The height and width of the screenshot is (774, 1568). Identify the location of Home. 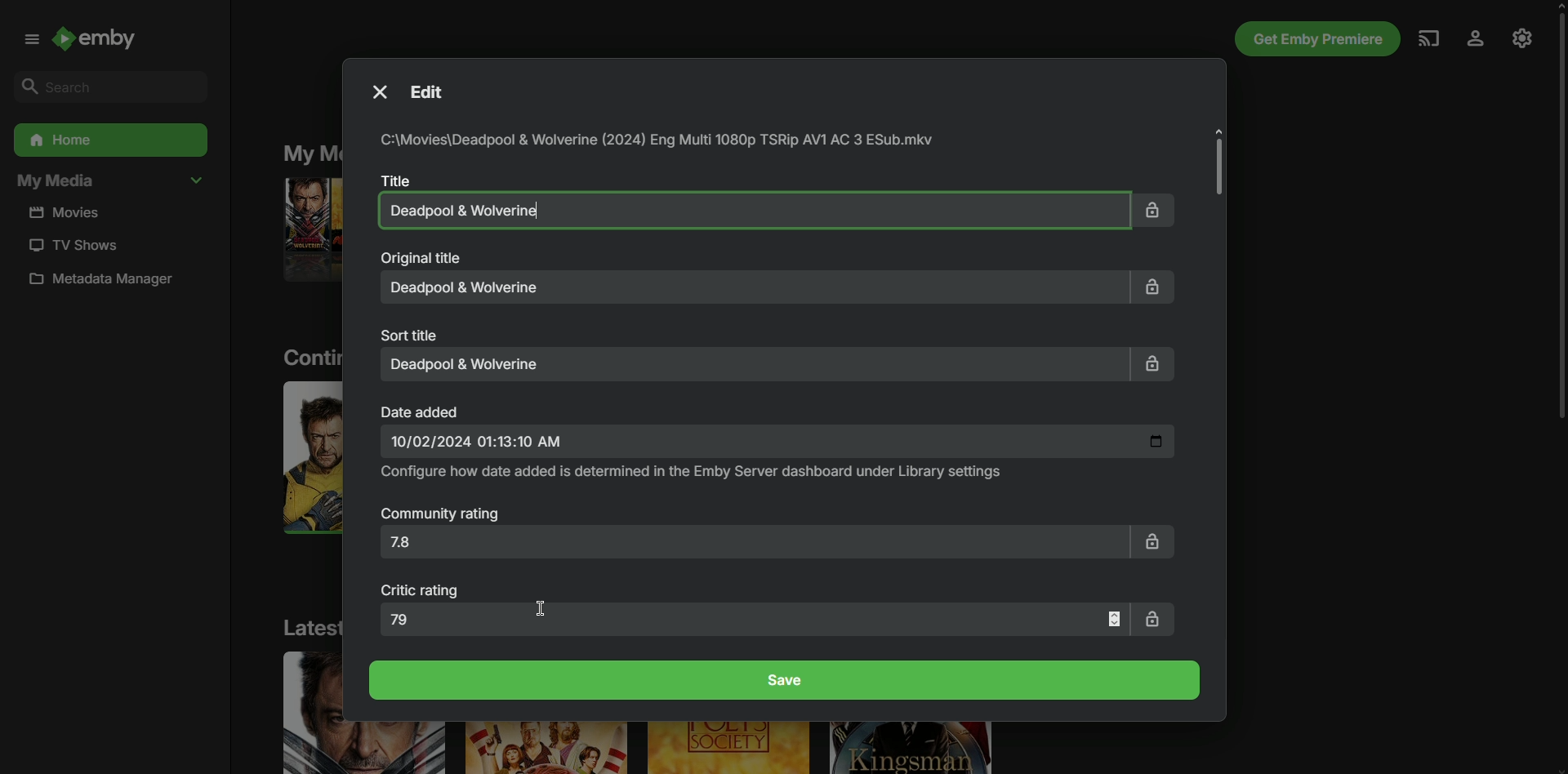
(109, 140).